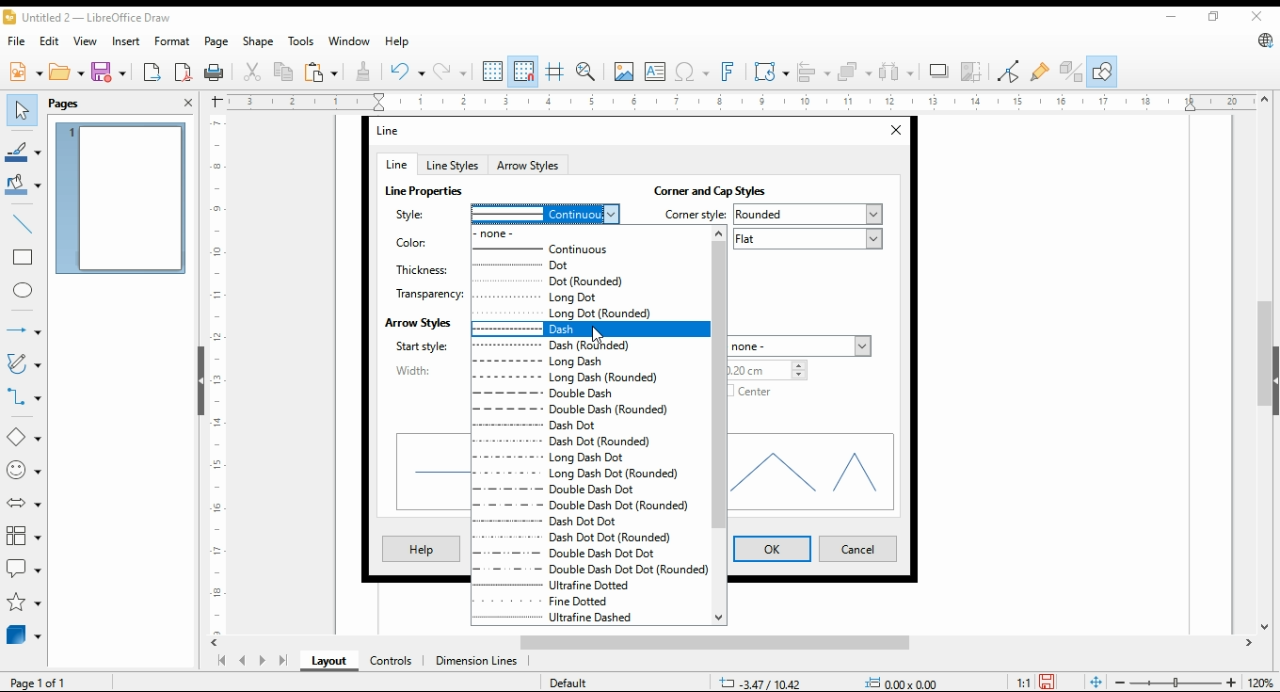 This screenshot has width=1280, height=692. What do you see at coordinates (772, 549) in the screenshot?
I see `ok` at bounding box center [772, 549].